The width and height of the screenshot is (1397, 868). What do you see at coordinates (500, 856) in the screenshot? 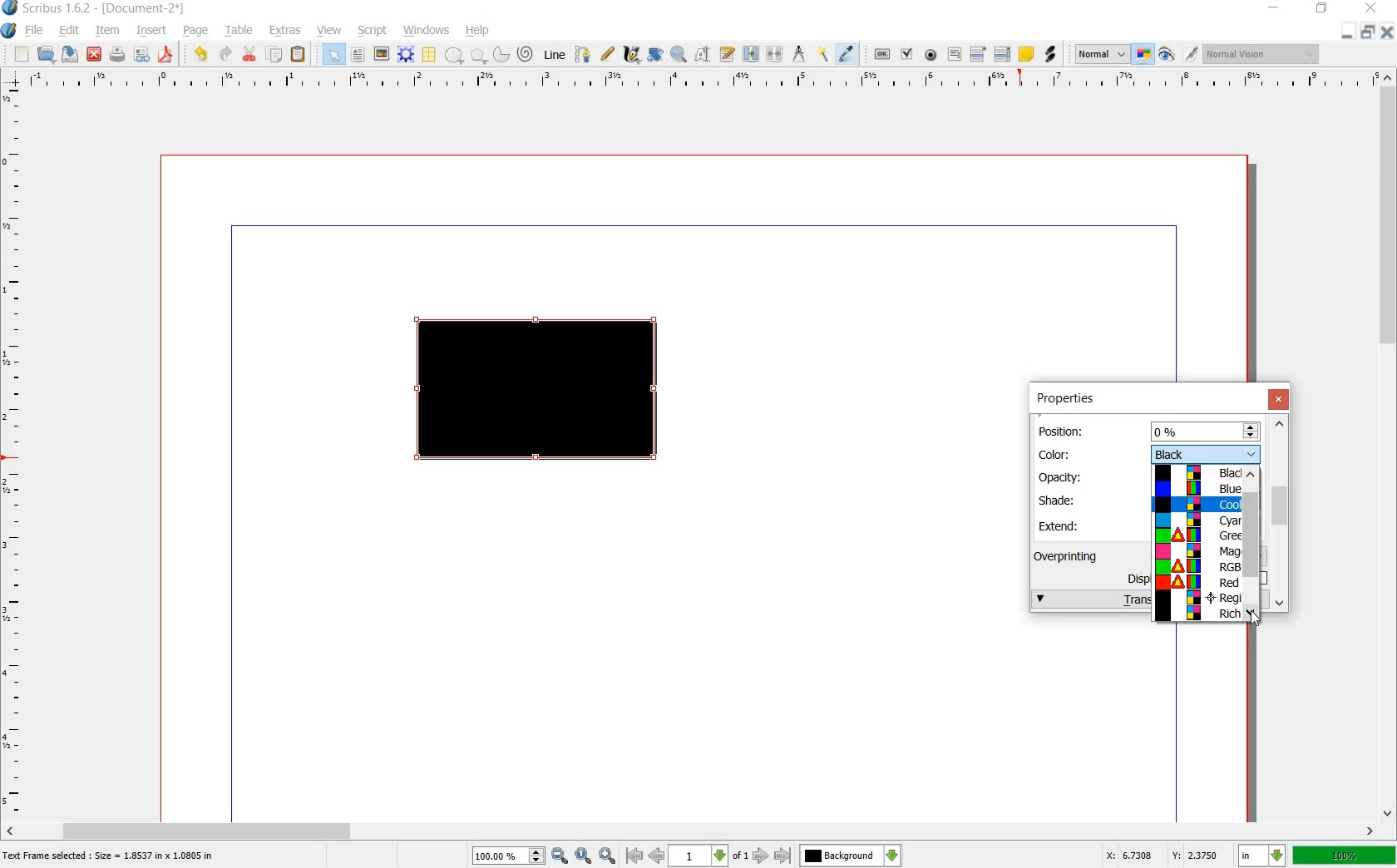
I see `100%` at bounding box center [500, 856].